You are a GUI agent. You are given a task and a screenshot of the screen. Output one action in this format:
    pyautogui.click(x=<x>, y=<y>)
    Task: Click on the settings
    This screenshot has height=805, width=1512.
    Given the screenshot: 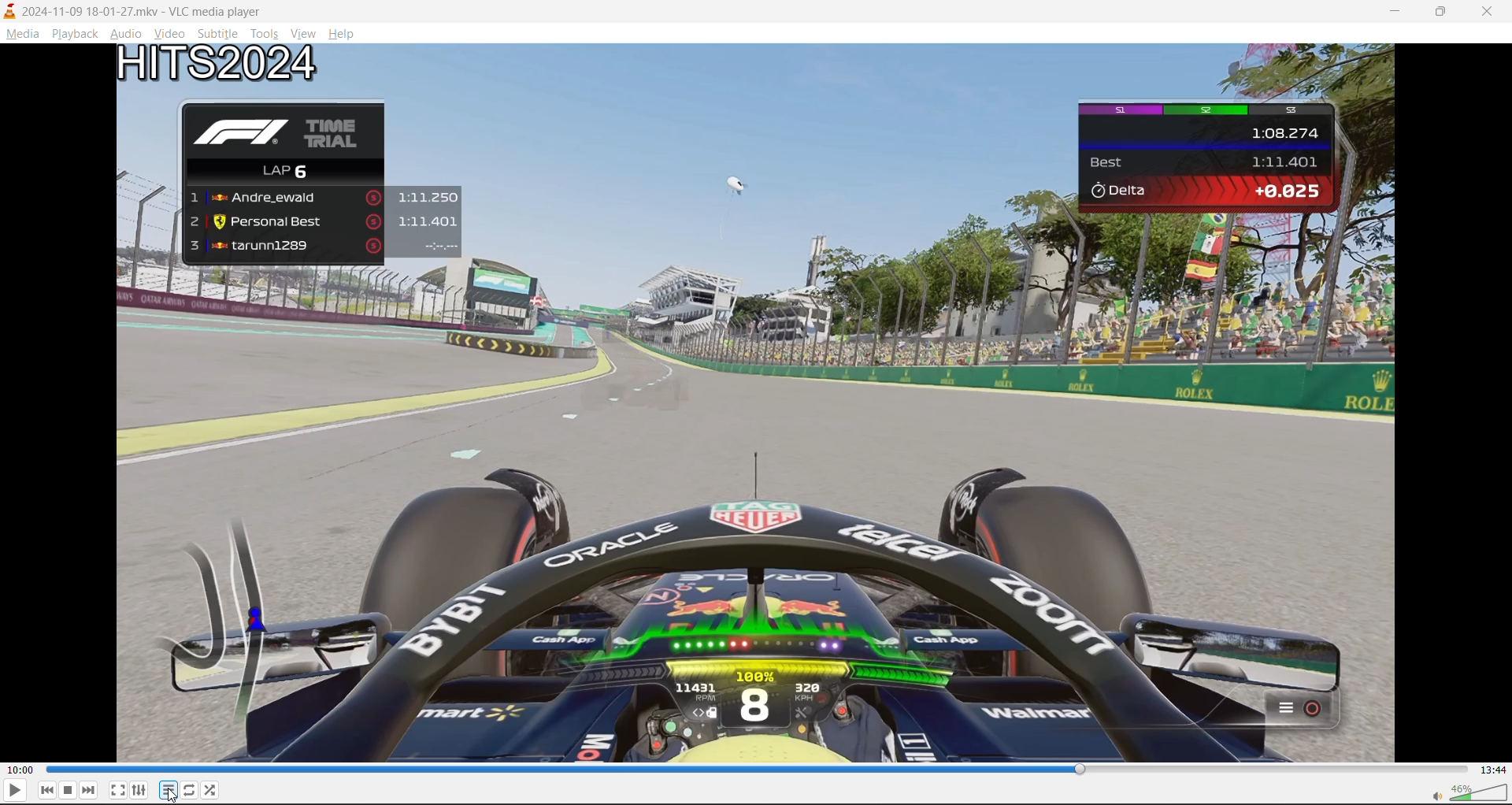 What is the action you would take?
    pyautogui.click(x=139, y=790)
    